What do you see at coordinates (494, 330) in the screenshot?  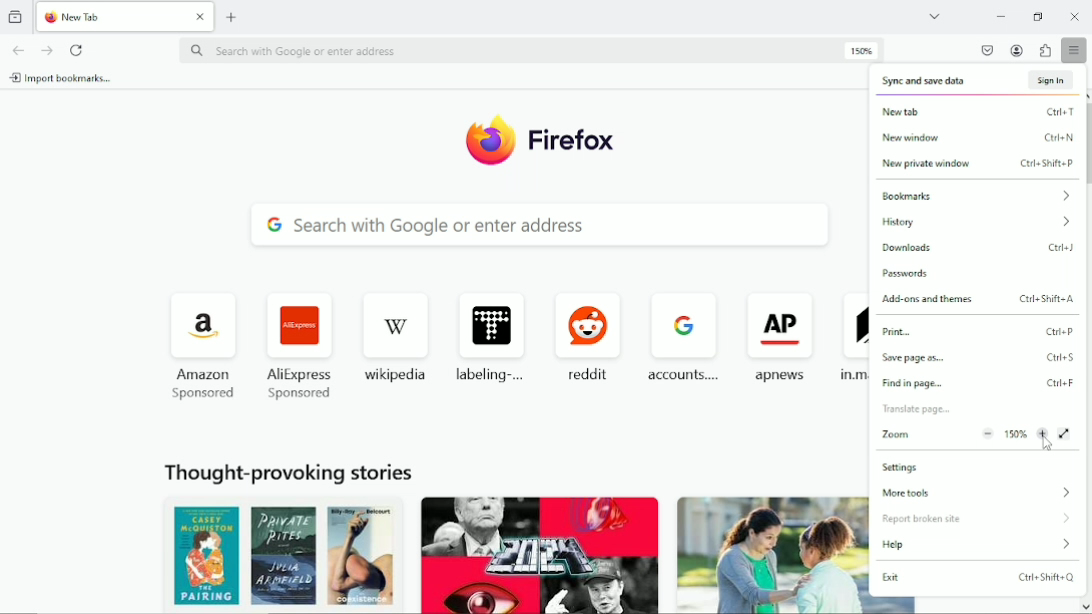 I see `labeling turing` at bounding box center [494, 330].